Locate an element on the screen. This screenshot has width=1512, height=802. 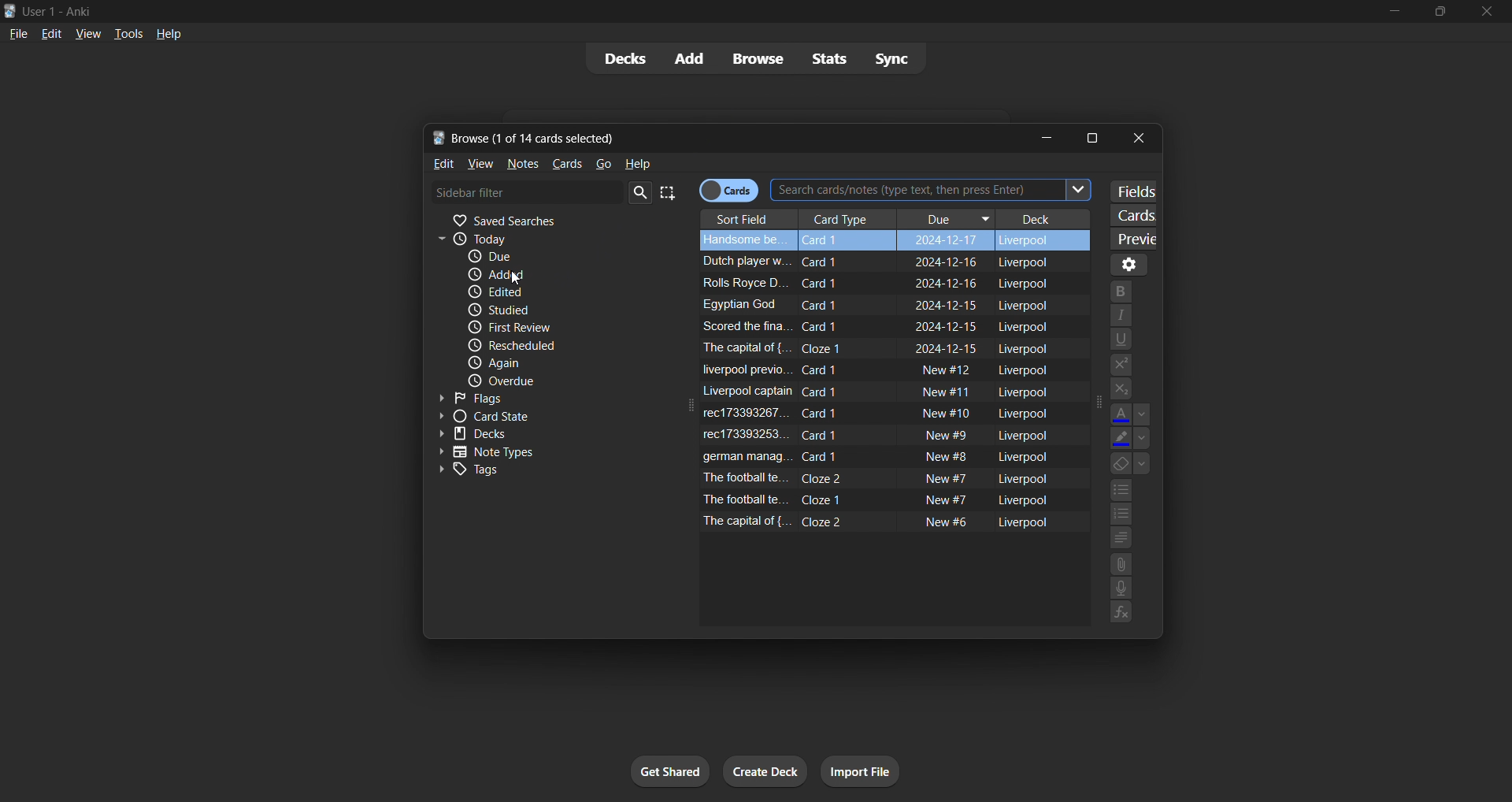
file is located at coordinates (17, 32).